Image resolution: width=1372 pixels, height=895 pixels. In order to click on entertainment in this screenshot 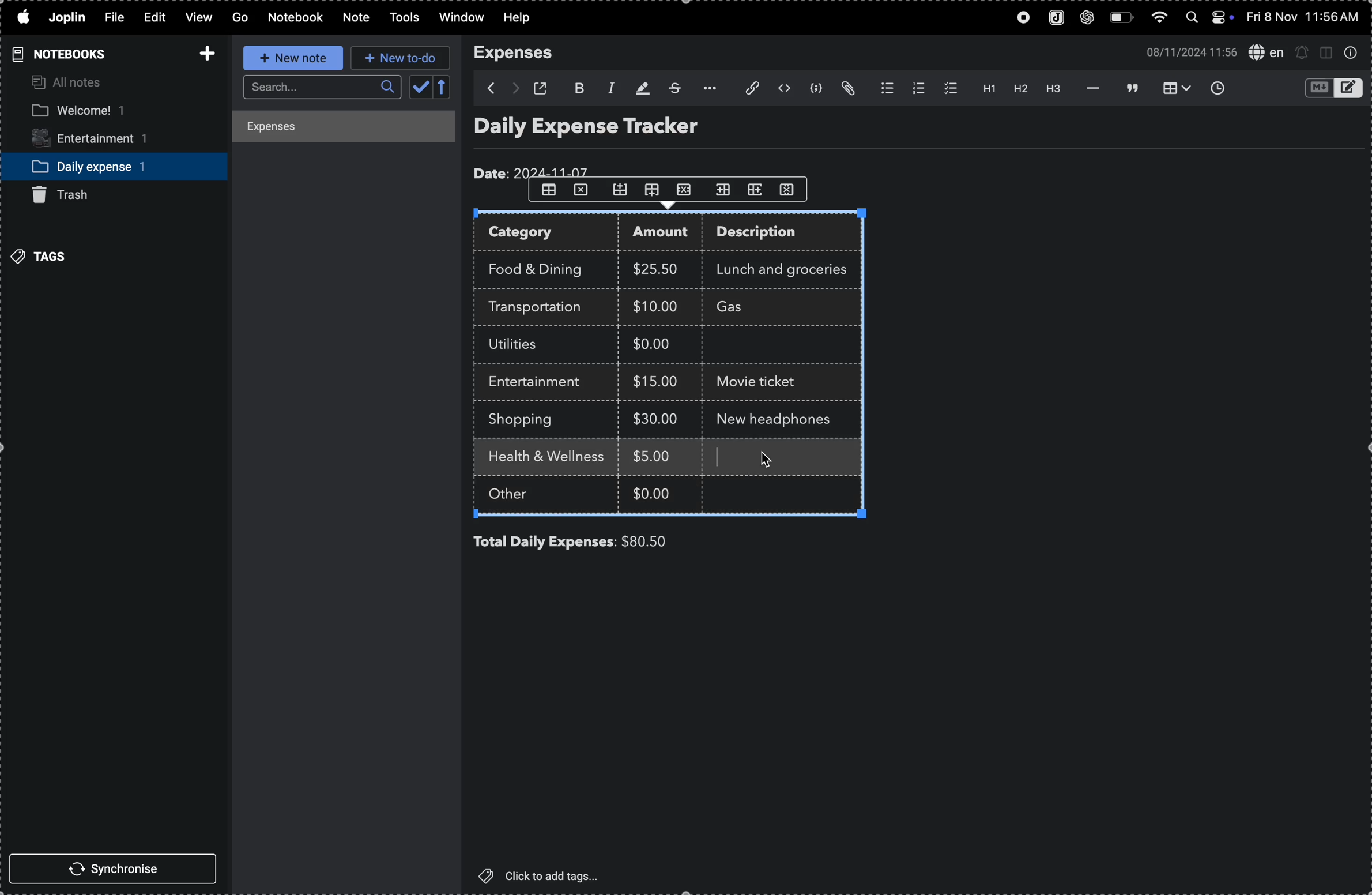, I will do `click(101, 140)`.